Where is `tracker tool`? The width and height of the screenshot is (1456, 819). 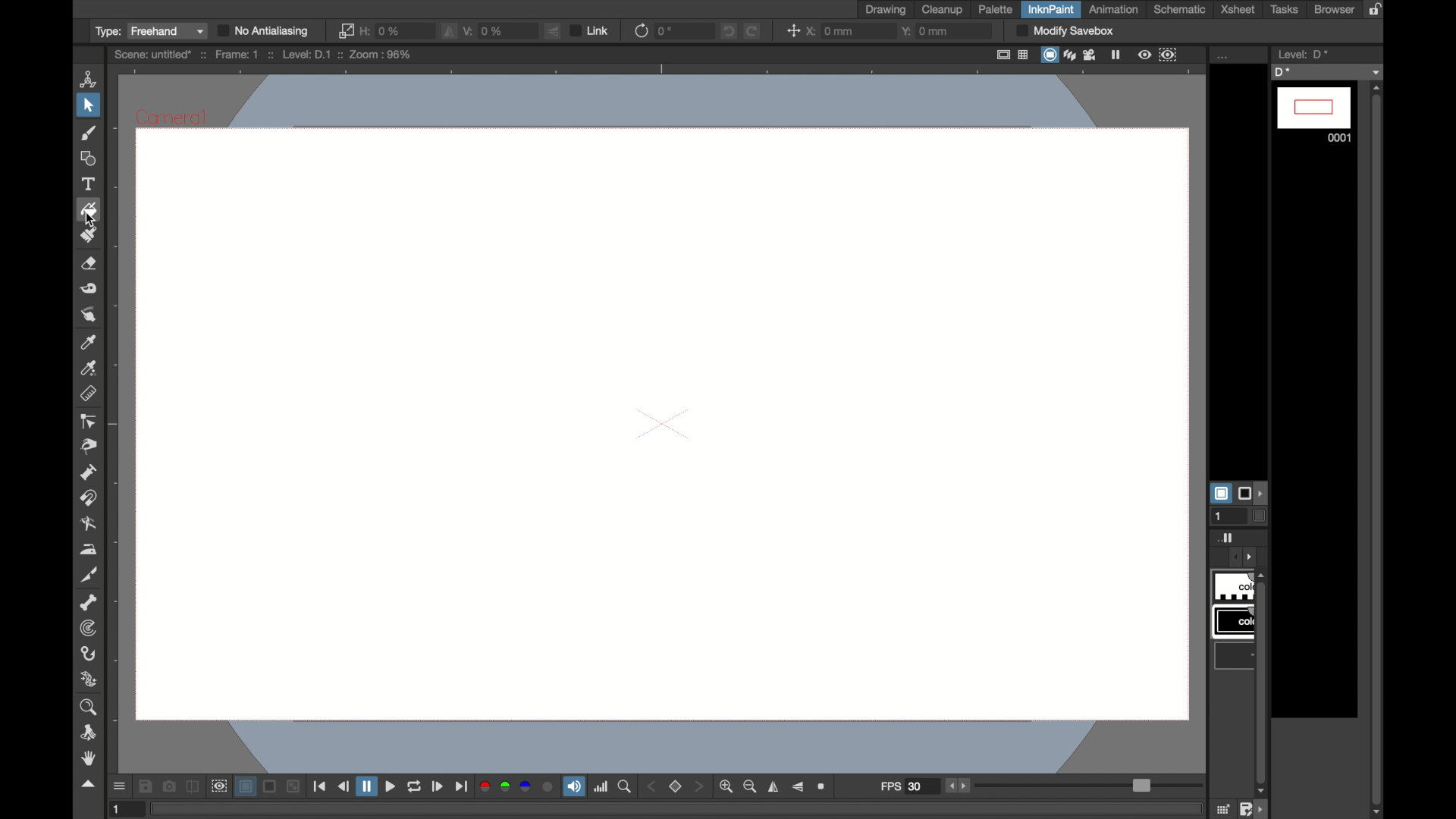 tracker tool is located at coordinates (87, 629).